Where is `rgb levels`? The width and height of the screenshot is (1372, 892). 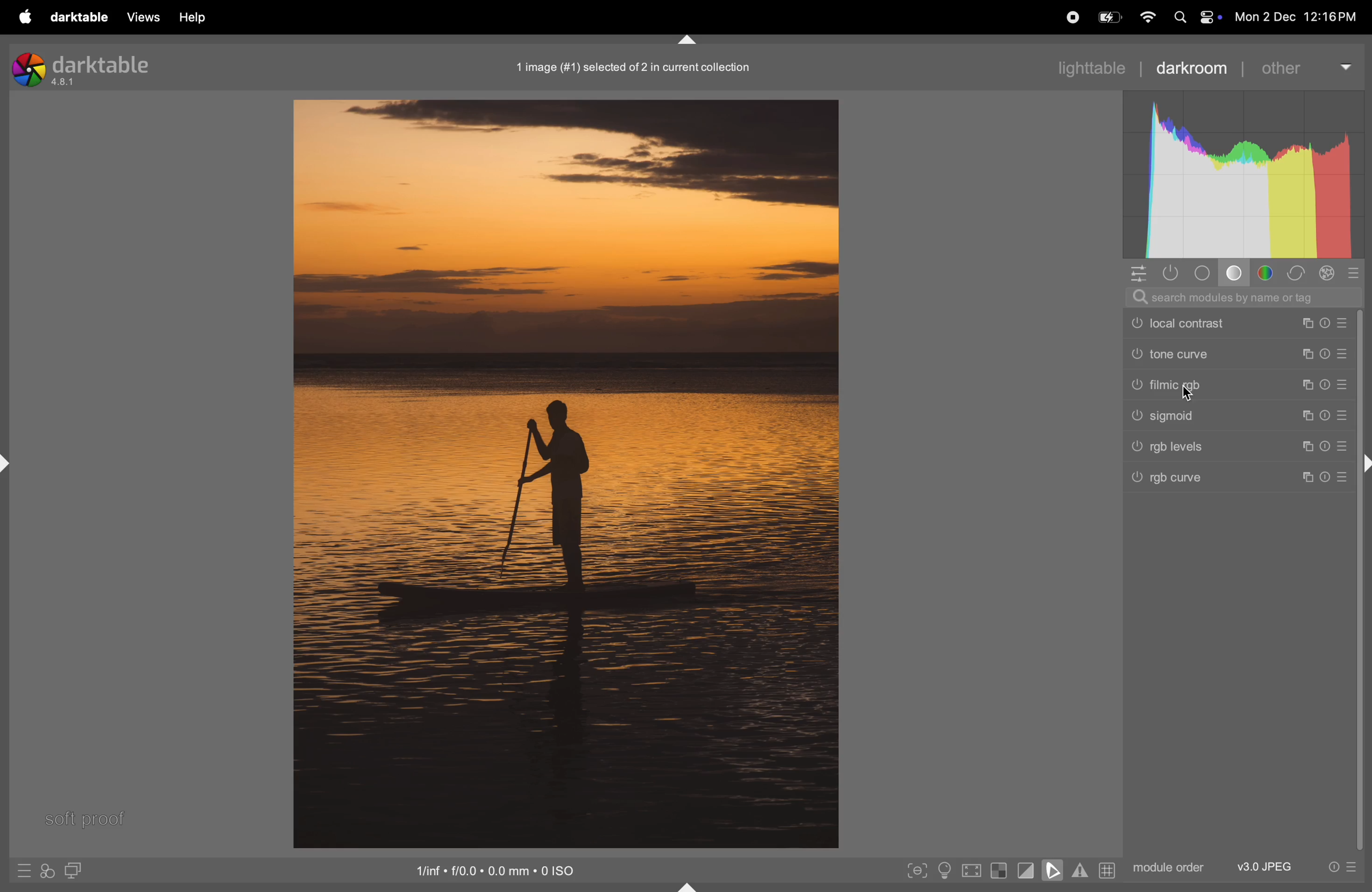 rgb levels is located at coordinates (1243, 447).